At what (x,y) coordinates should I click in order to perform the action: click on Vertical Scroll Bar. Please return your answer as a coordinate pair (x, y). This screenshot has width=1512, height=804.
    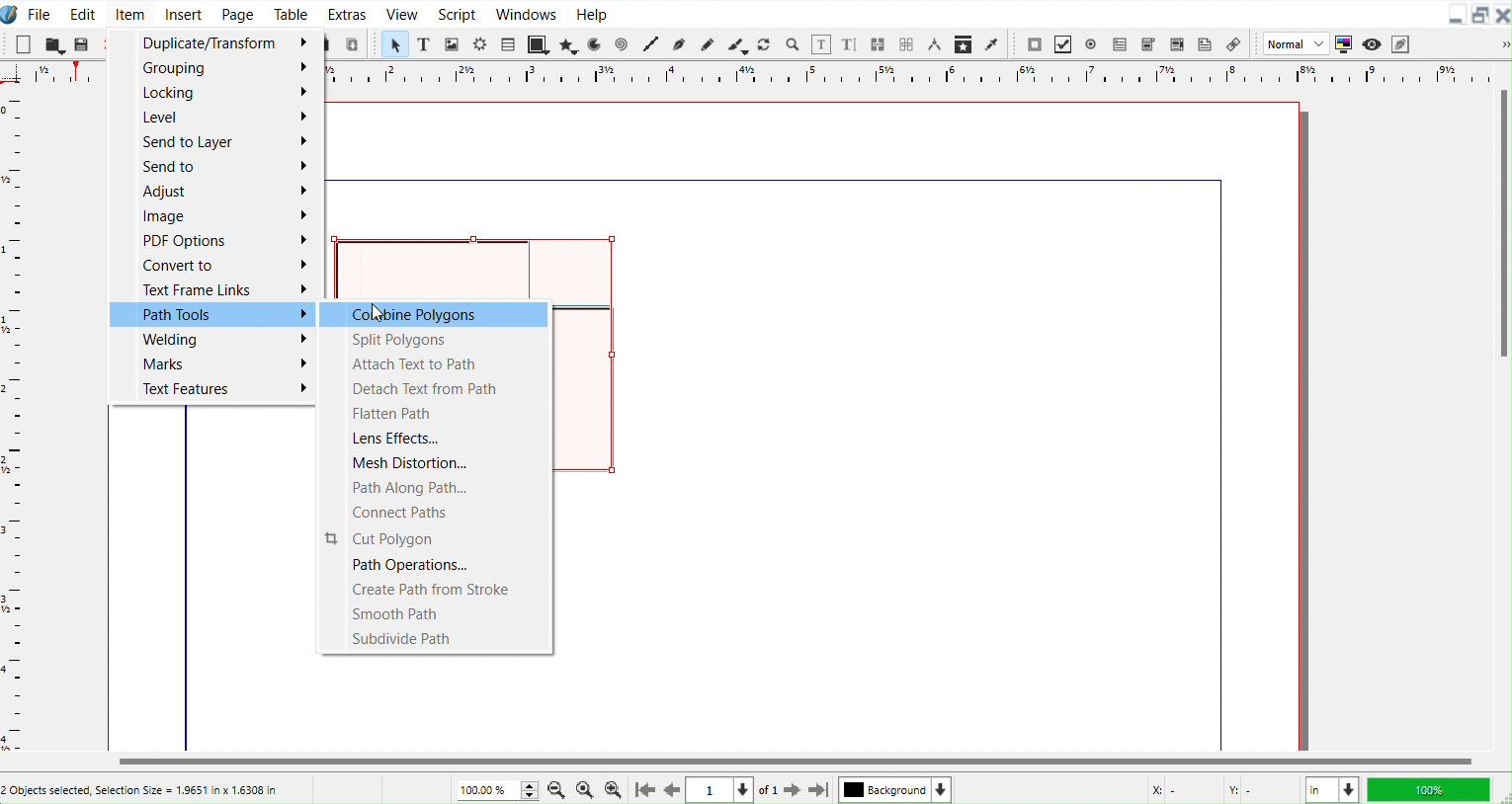
    Looking at the image, I should click on (1501, 404).